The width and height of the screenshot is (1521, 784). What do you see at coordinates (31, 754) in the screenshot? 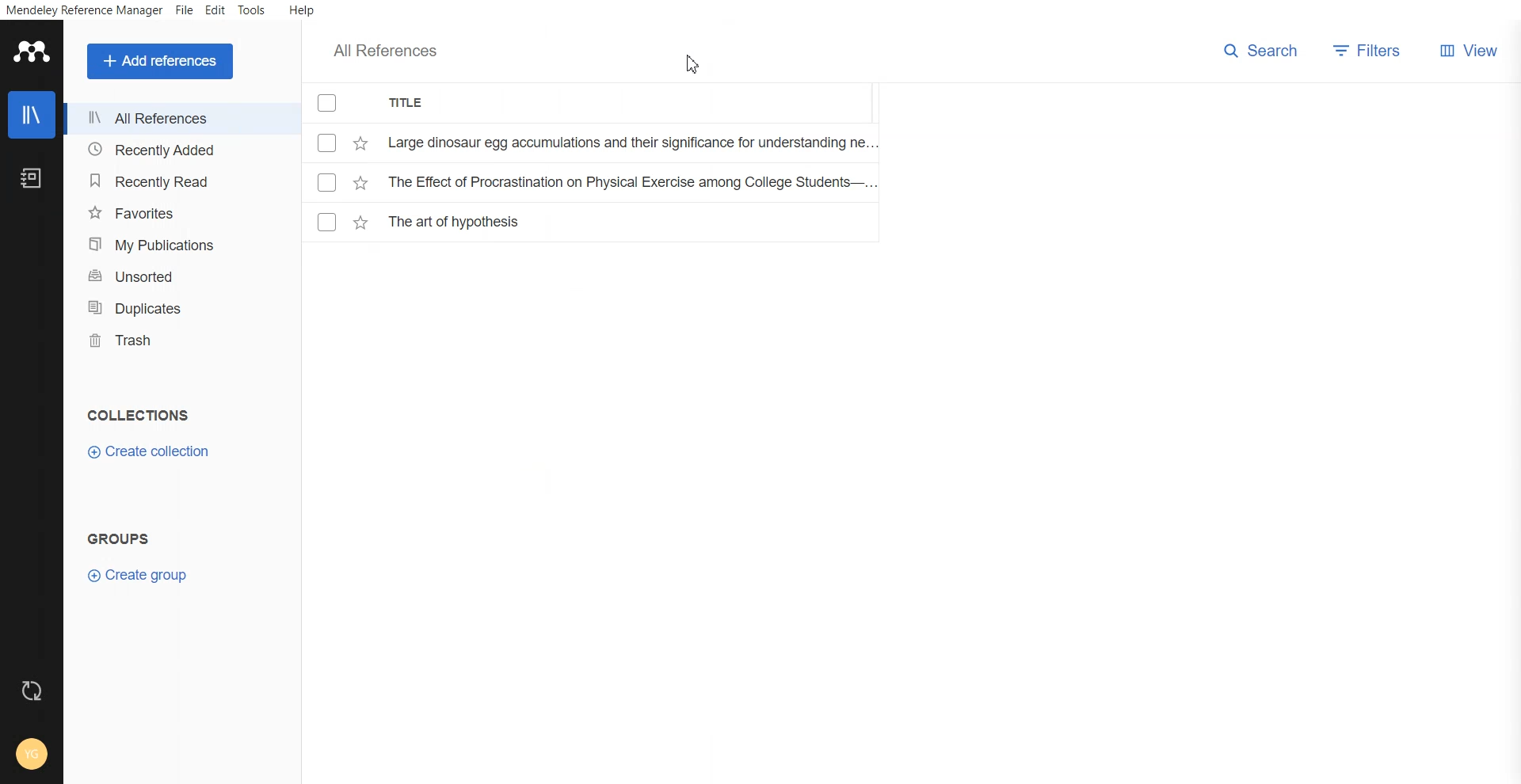
I see `Account` at bounding box center [31, 754].